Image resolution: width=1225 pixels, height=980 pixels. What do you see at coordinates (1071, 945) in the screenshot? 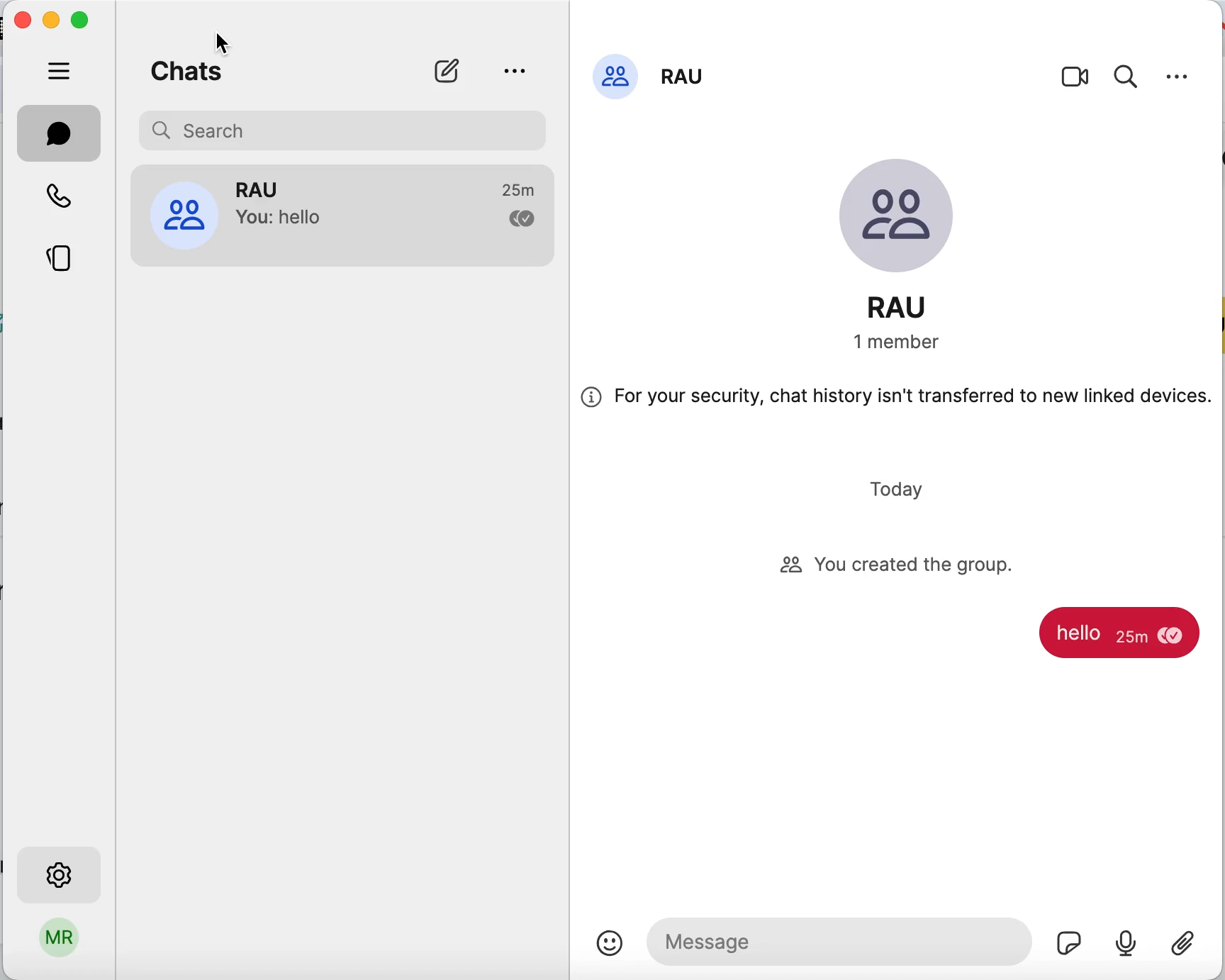
I see `stickers` at bounding box center [1071, 945].